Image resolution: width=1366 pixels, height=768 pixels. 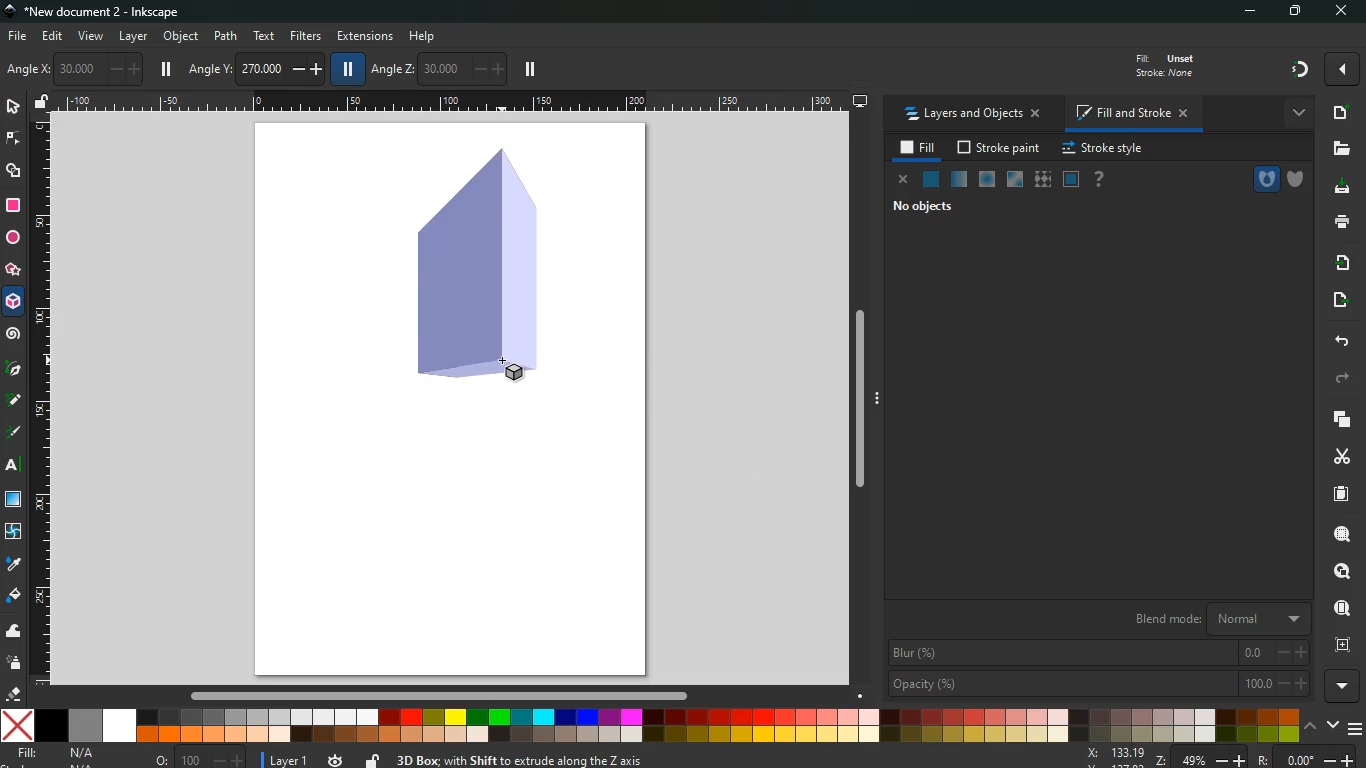 What do you see at coordinates (505, 362) in the screenshot?
I see `Cursor` at bounding box center [505, 362].